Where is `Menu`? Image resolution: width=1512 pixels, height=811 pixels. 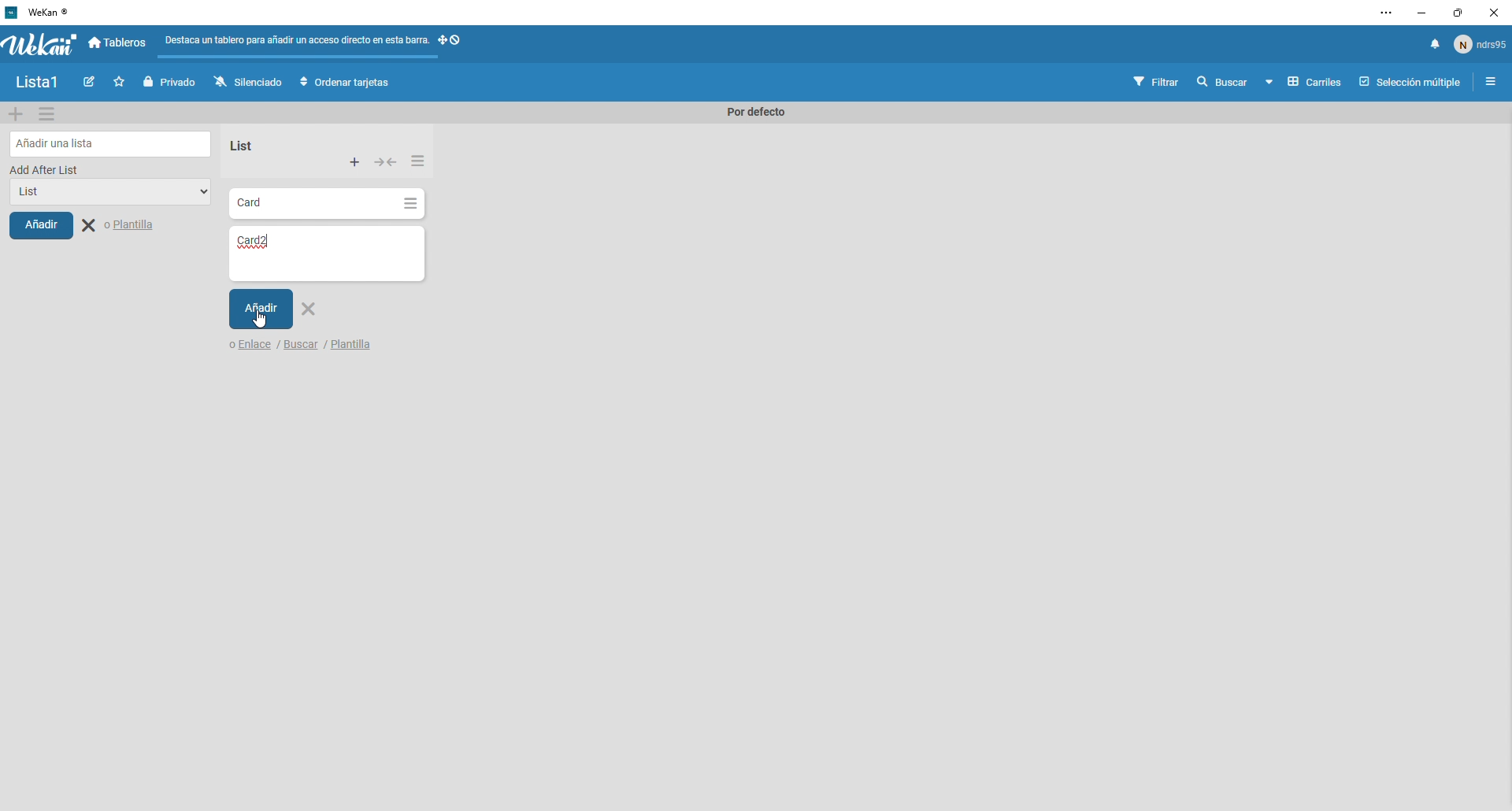 Menu is located at coordinates (1492, 83).